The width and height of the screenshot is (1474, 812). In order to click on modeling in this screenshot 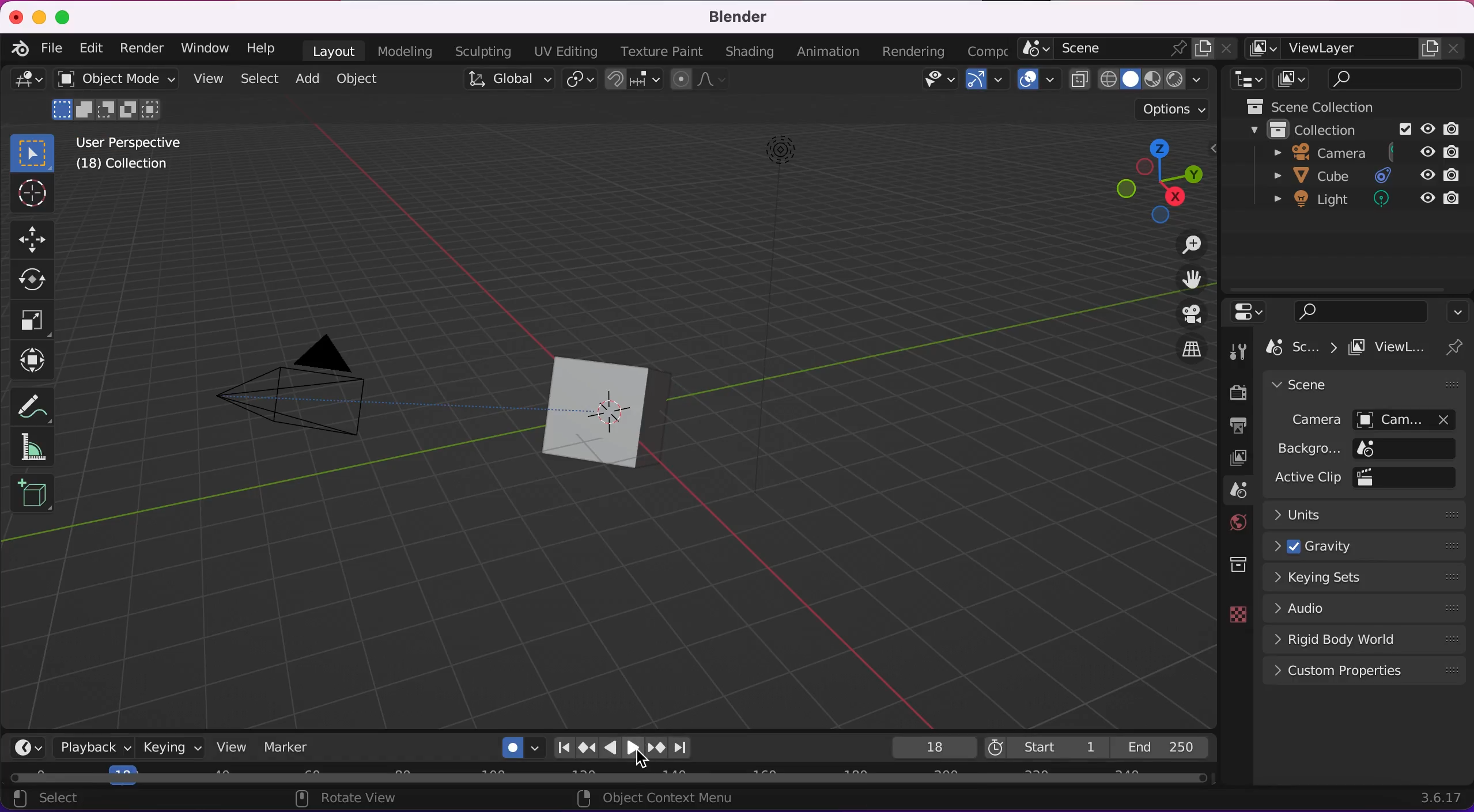, I will do `click(408, 51)`.